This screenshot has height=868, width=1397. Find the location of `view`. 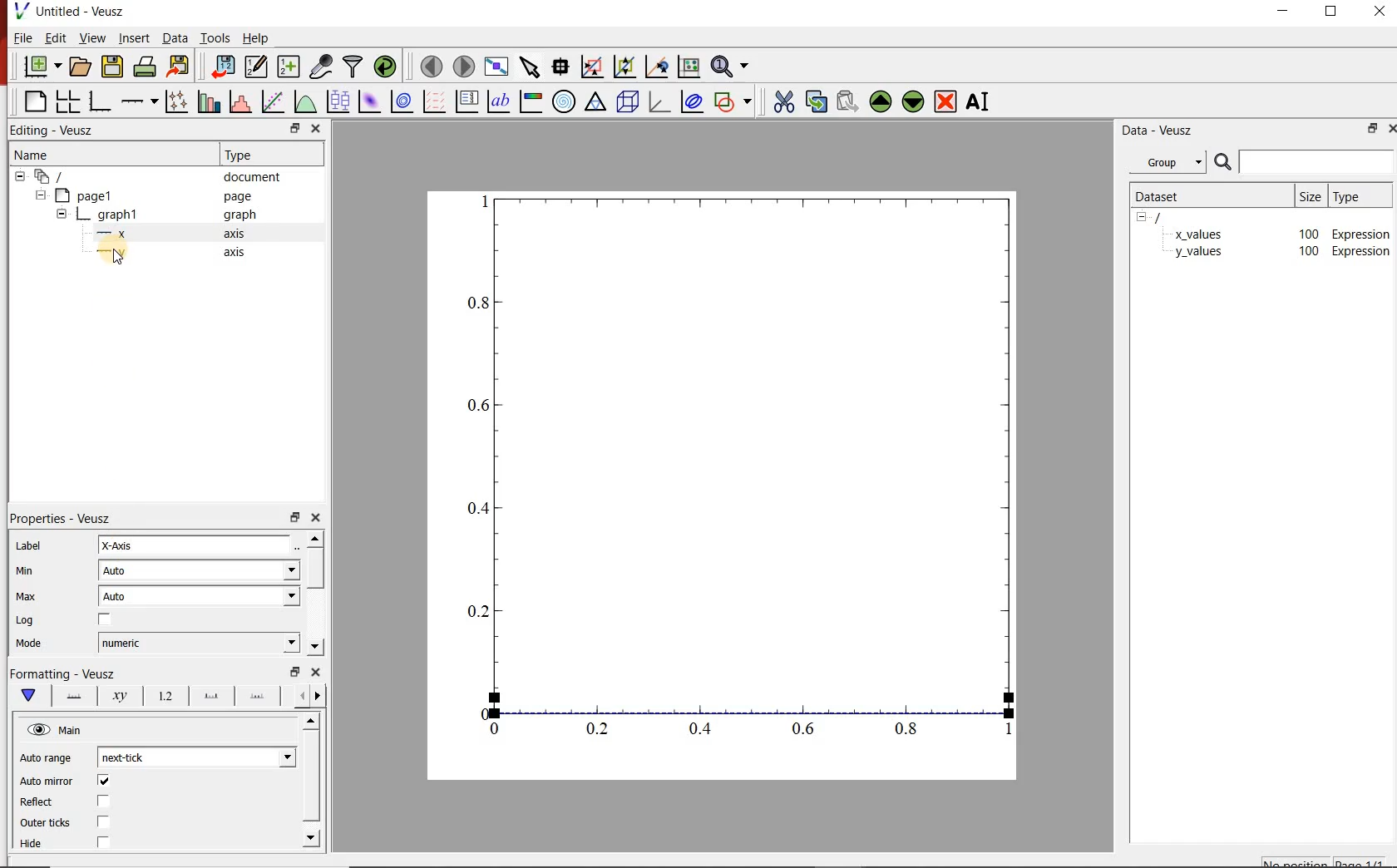

view is located at coordinates (93, 37).